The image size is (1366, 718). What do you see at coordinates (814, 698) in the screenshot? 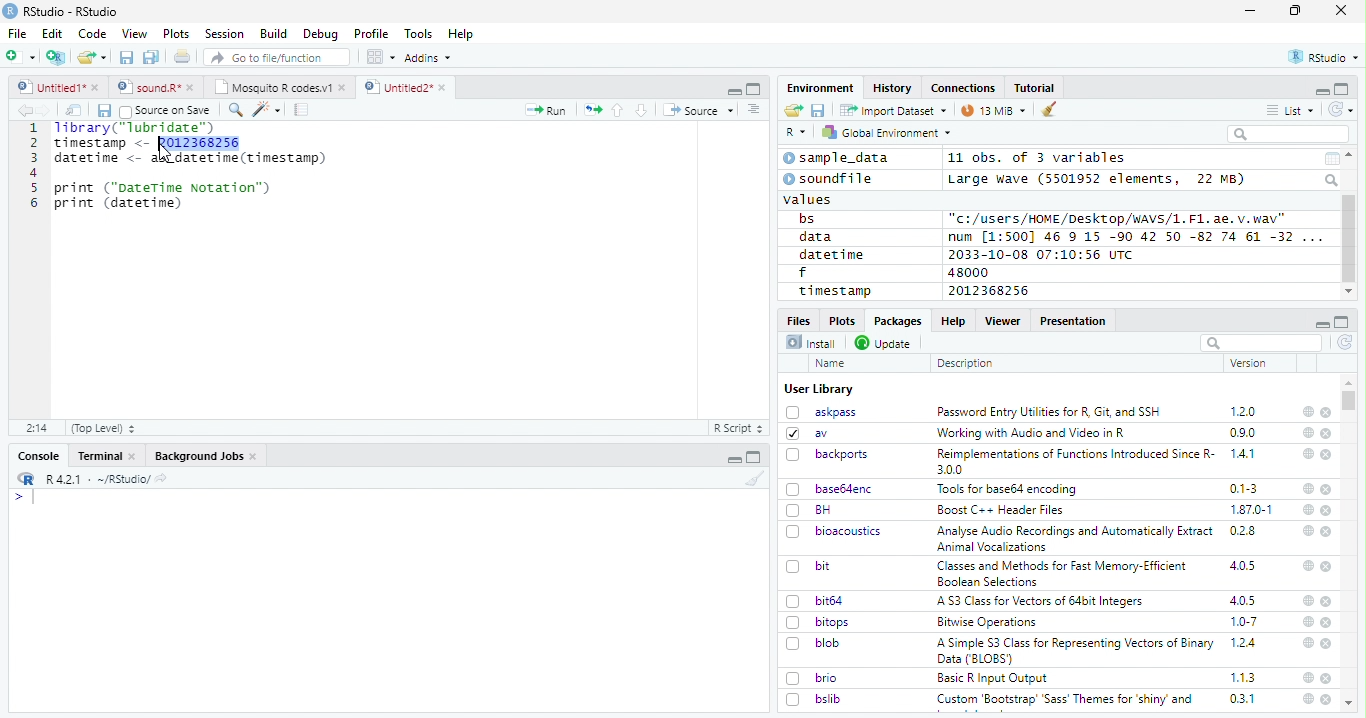
I see `bslib` at bounding box center [814, 698].